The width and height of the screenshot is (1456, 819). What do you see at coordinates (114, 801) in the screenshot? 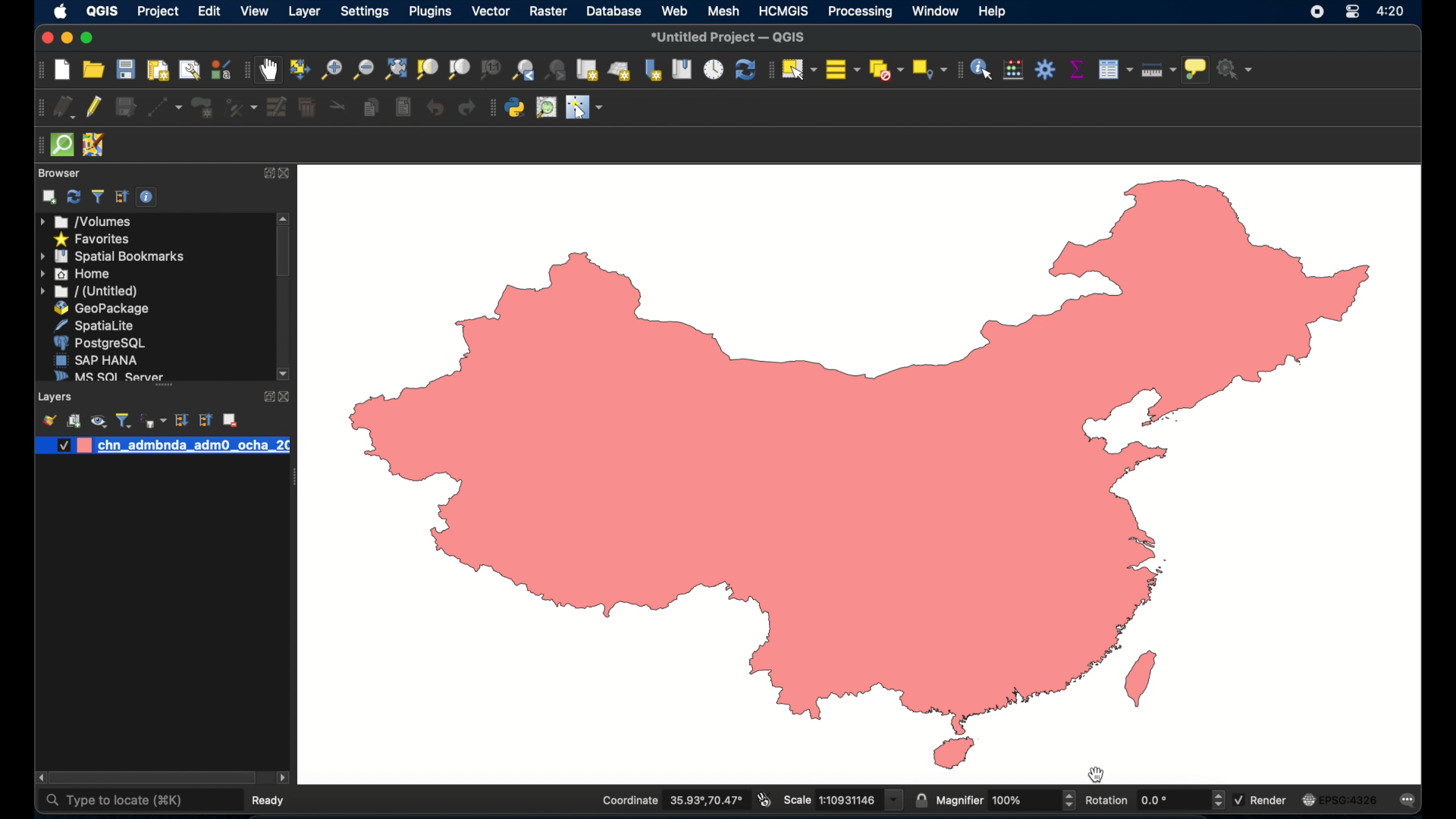
I see `type to locate` at bounding box center [114, 801].